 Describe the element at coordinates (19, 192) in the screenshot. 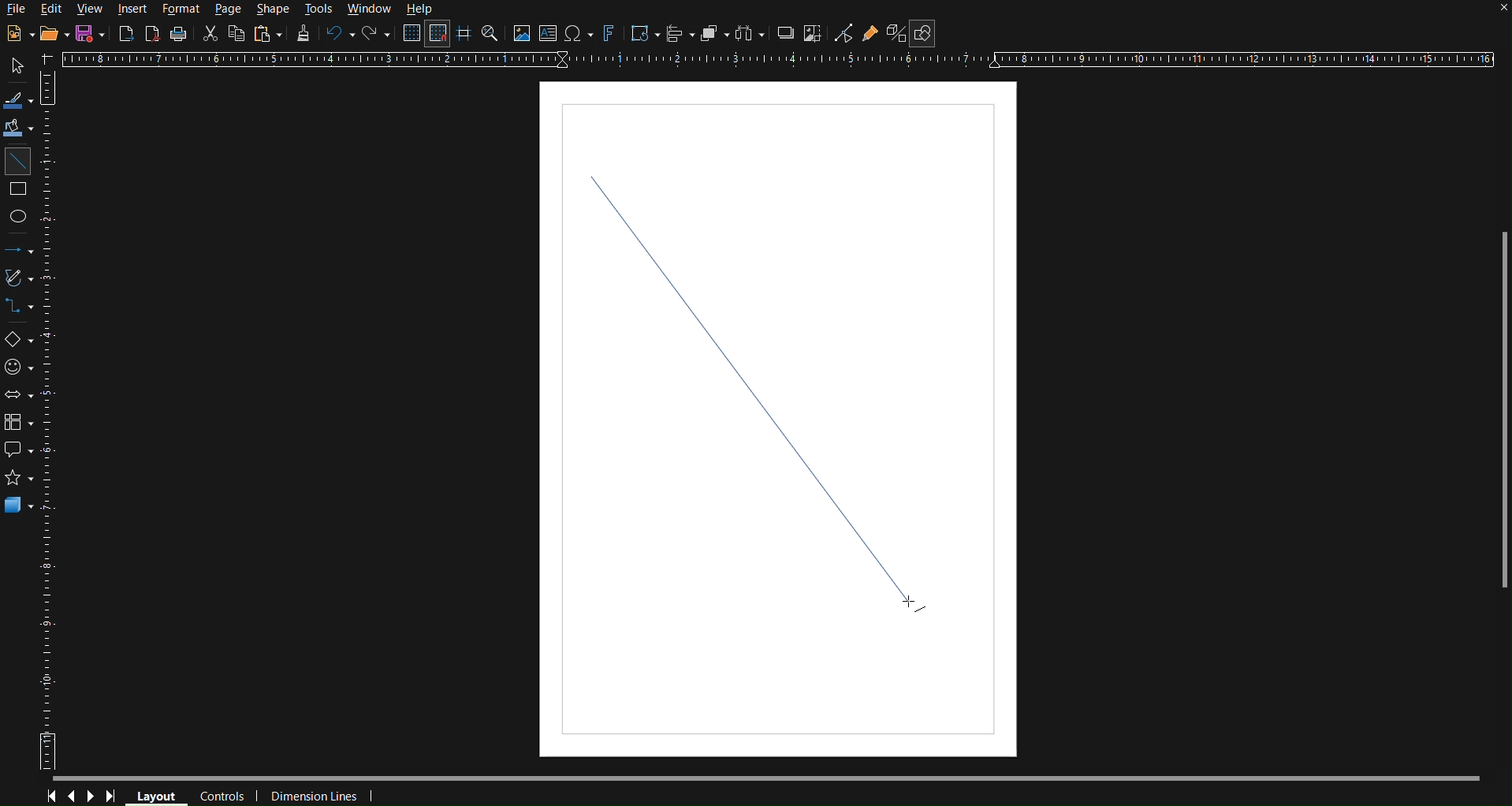

I see `Square` at that location.